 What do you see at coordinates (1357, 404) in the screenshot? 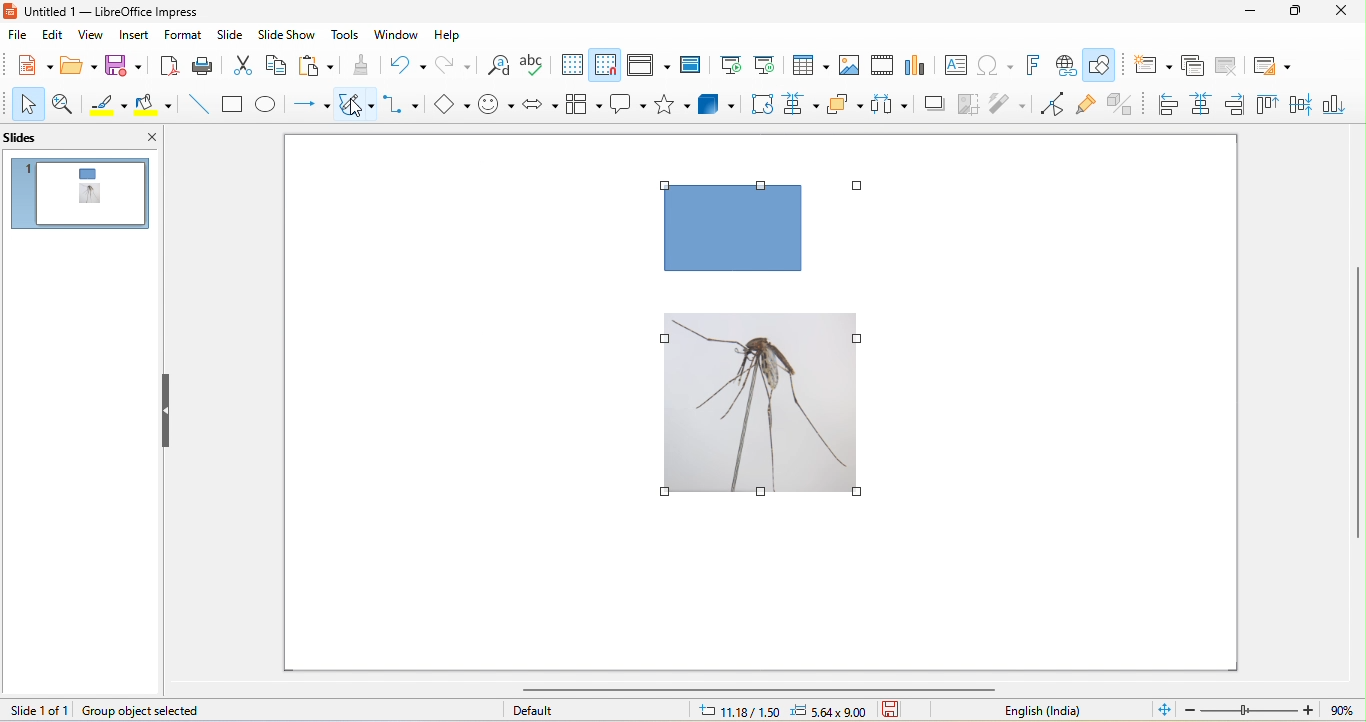
I see `vertical scroll bar` at bounding box center [1357, 404].